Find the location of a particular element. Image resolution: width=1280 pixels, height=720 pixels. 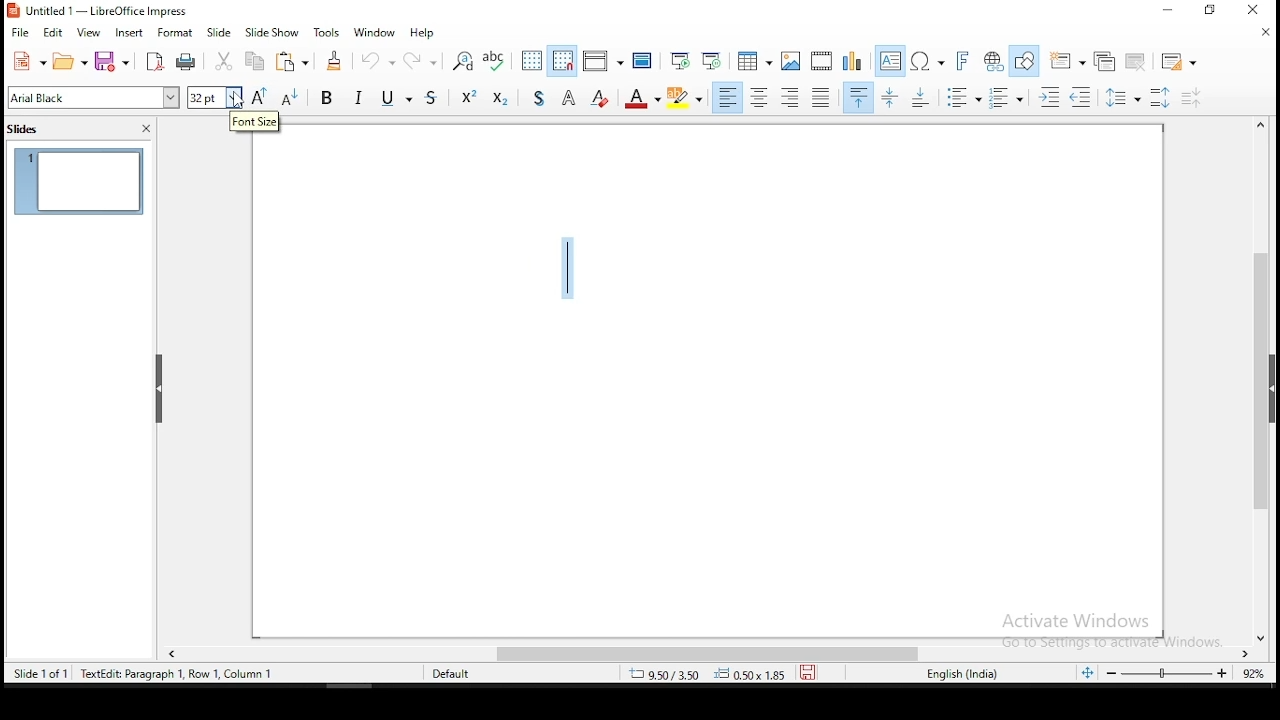

save is located at coordinates (115, 62).